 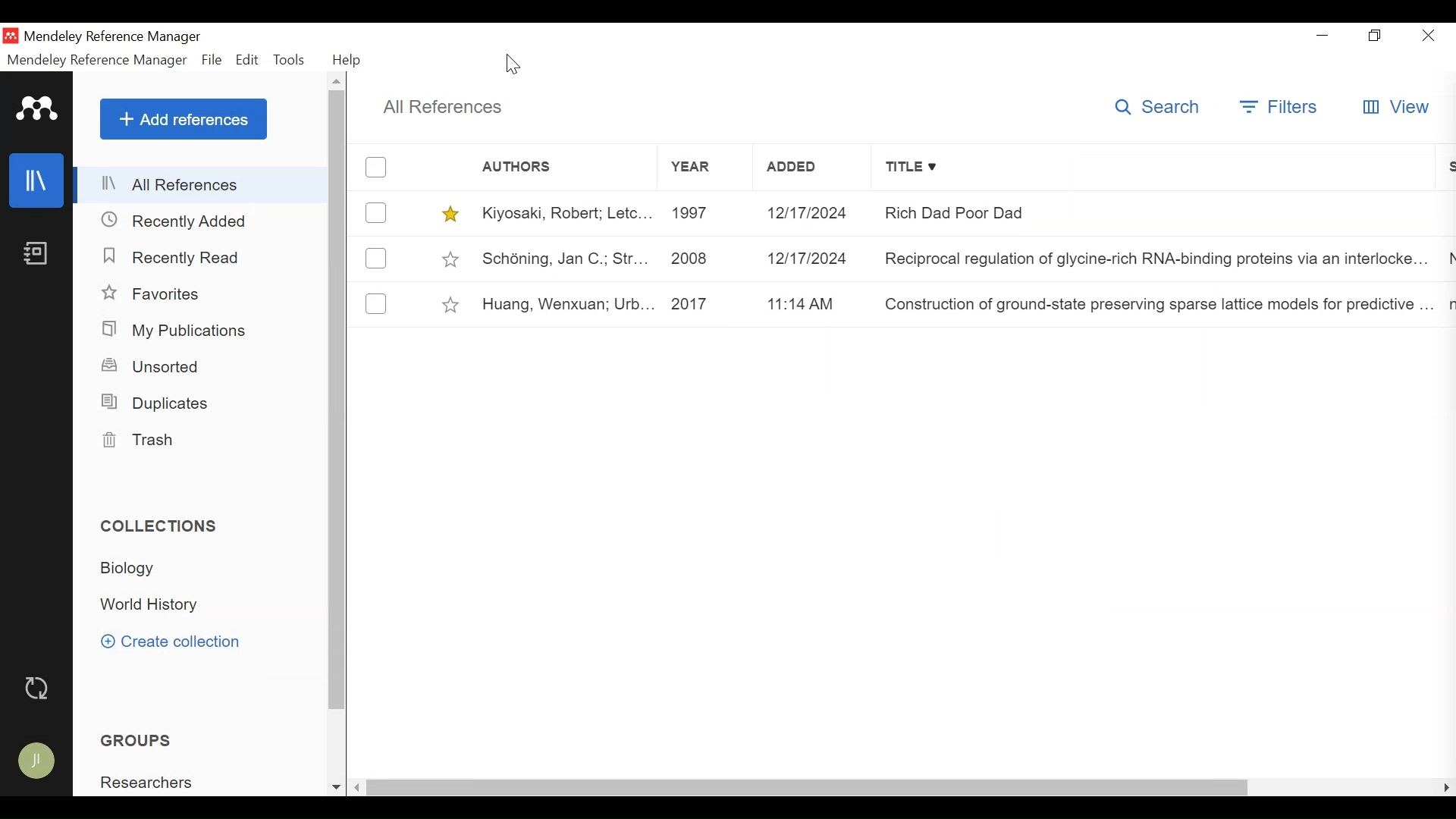 What do you see at coordinates (358, 787) in the screenshot?
I see `Scroll Left` at bounding box center [358, 787].